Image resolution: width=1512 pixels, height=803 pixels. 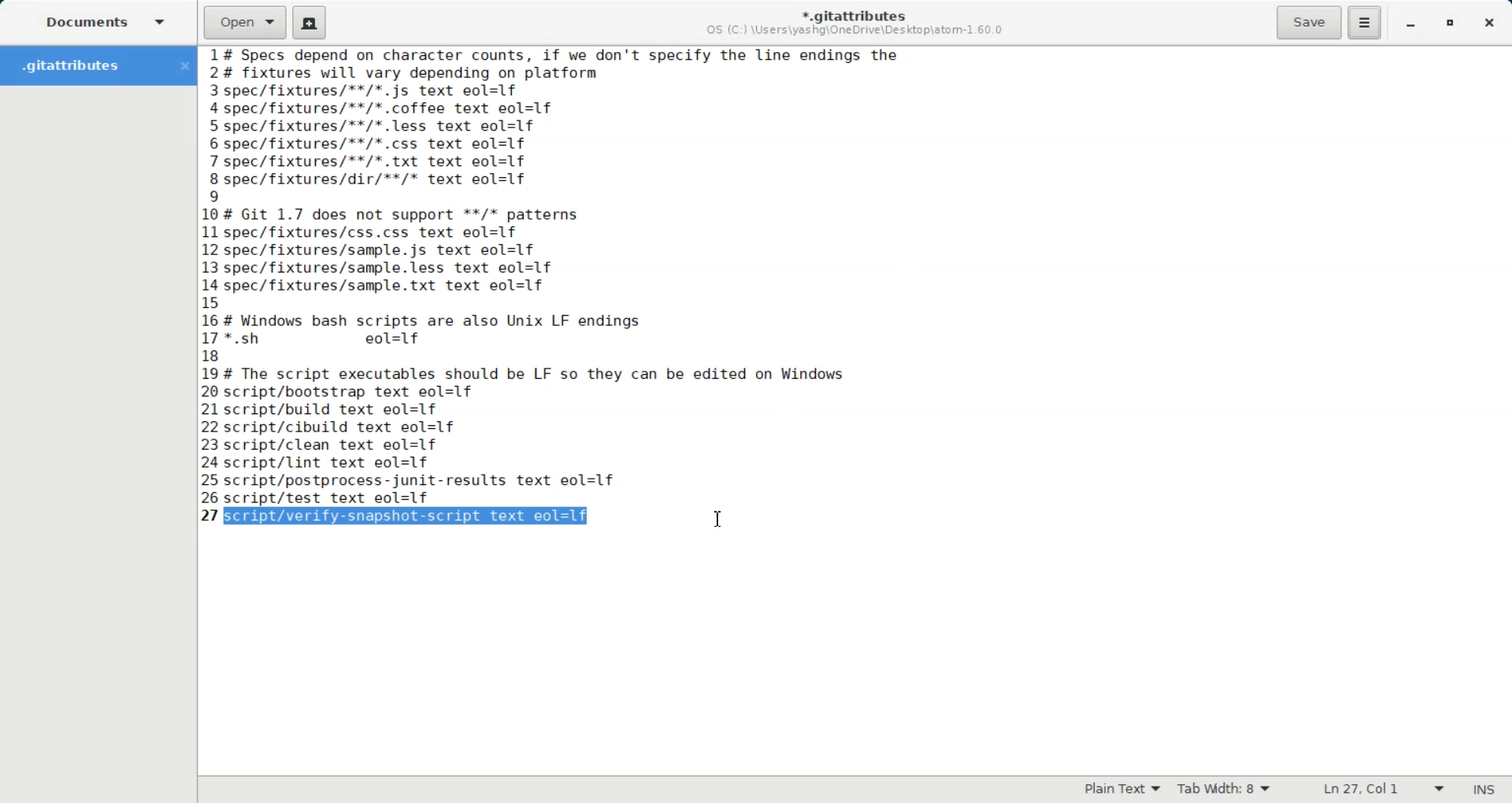 I want to click on Plain Text, so click(x=1118, y=790).